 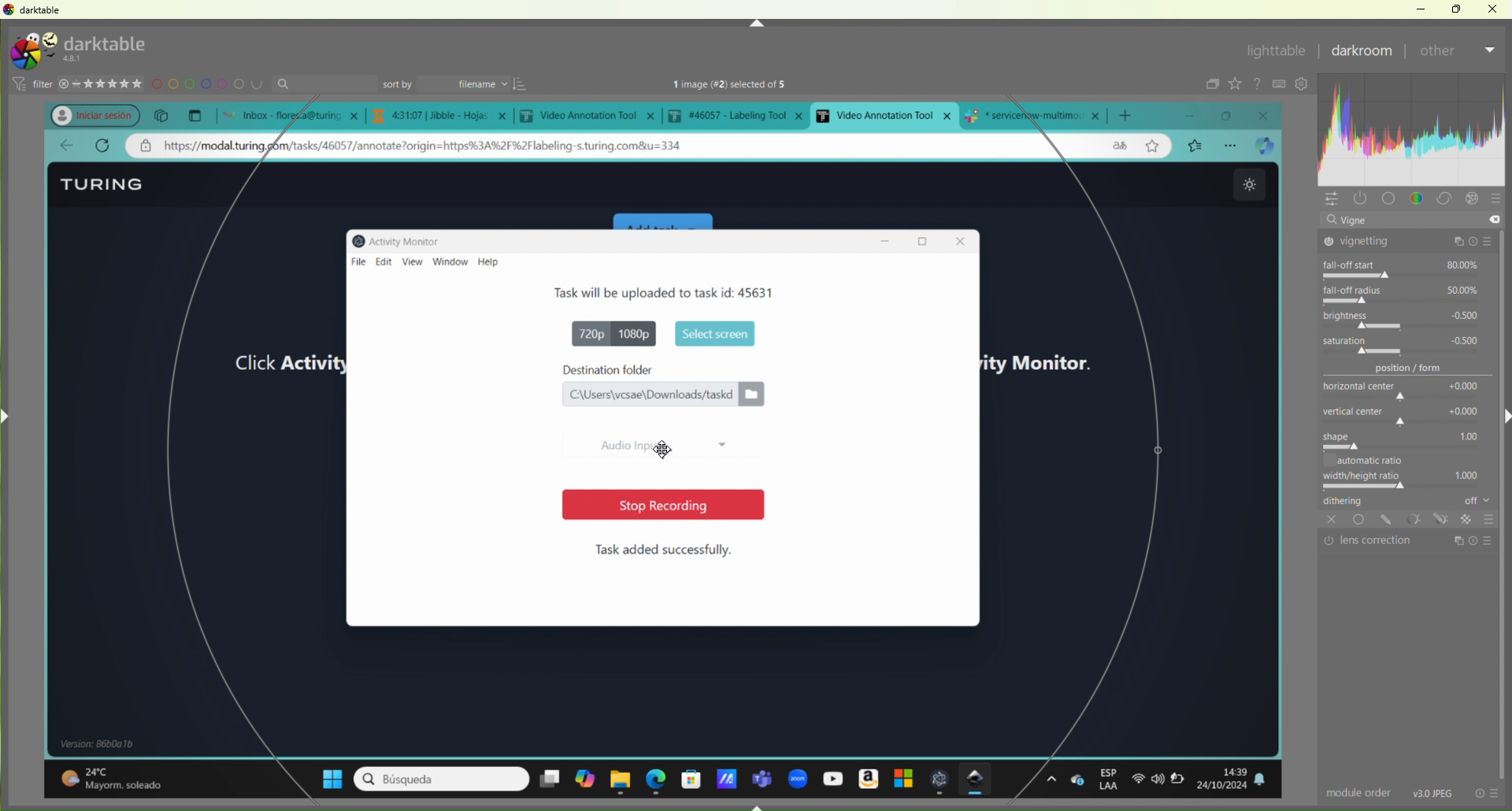 What do you see at coordinates (691, 777) in the screenshot?
I see `microsoft store` at bounding box center [691, 777].